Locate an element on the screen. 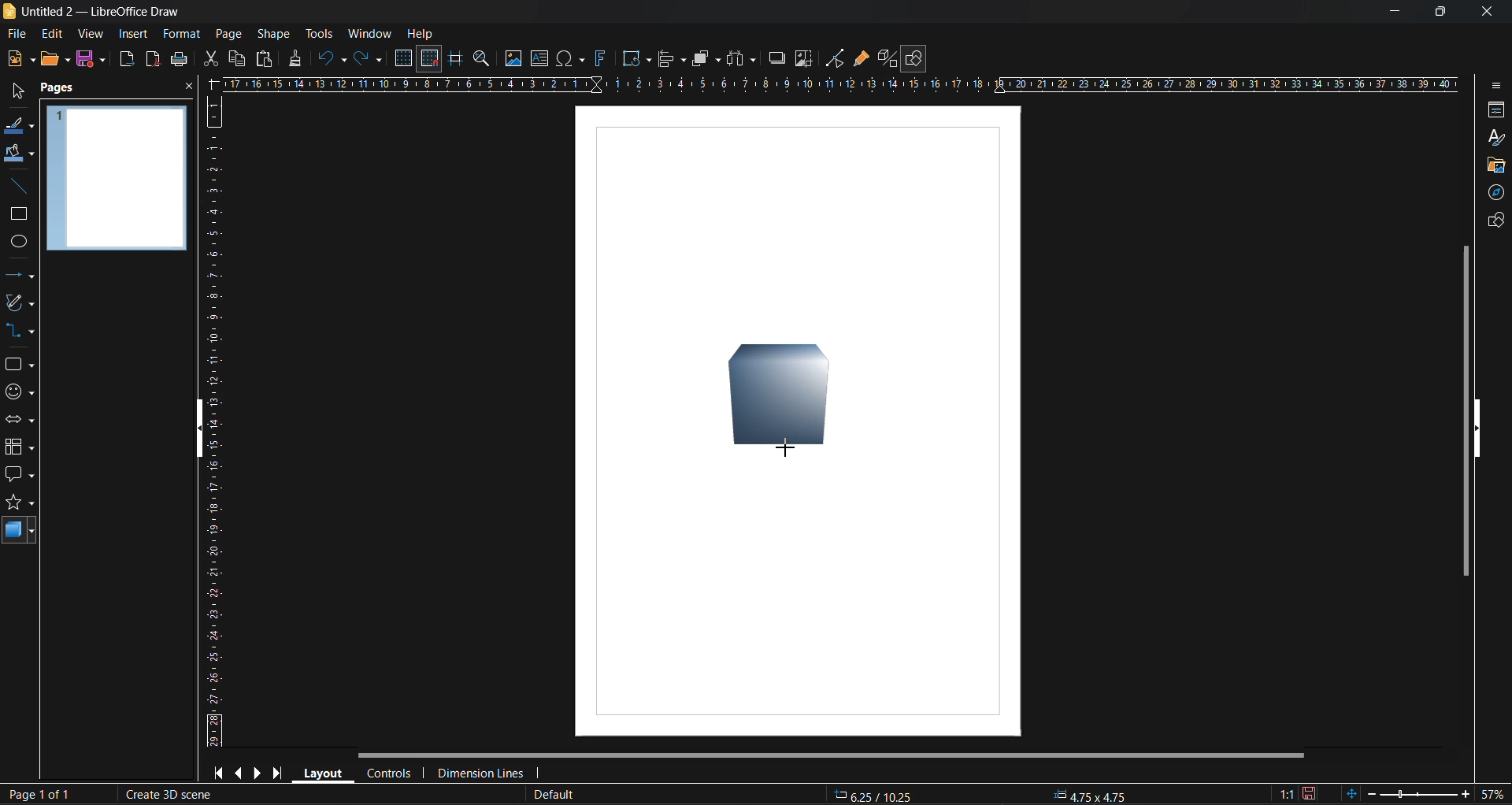 The height and width of the screenshot is (805, 1512). dimension lines is located at coordinates (481, 770).